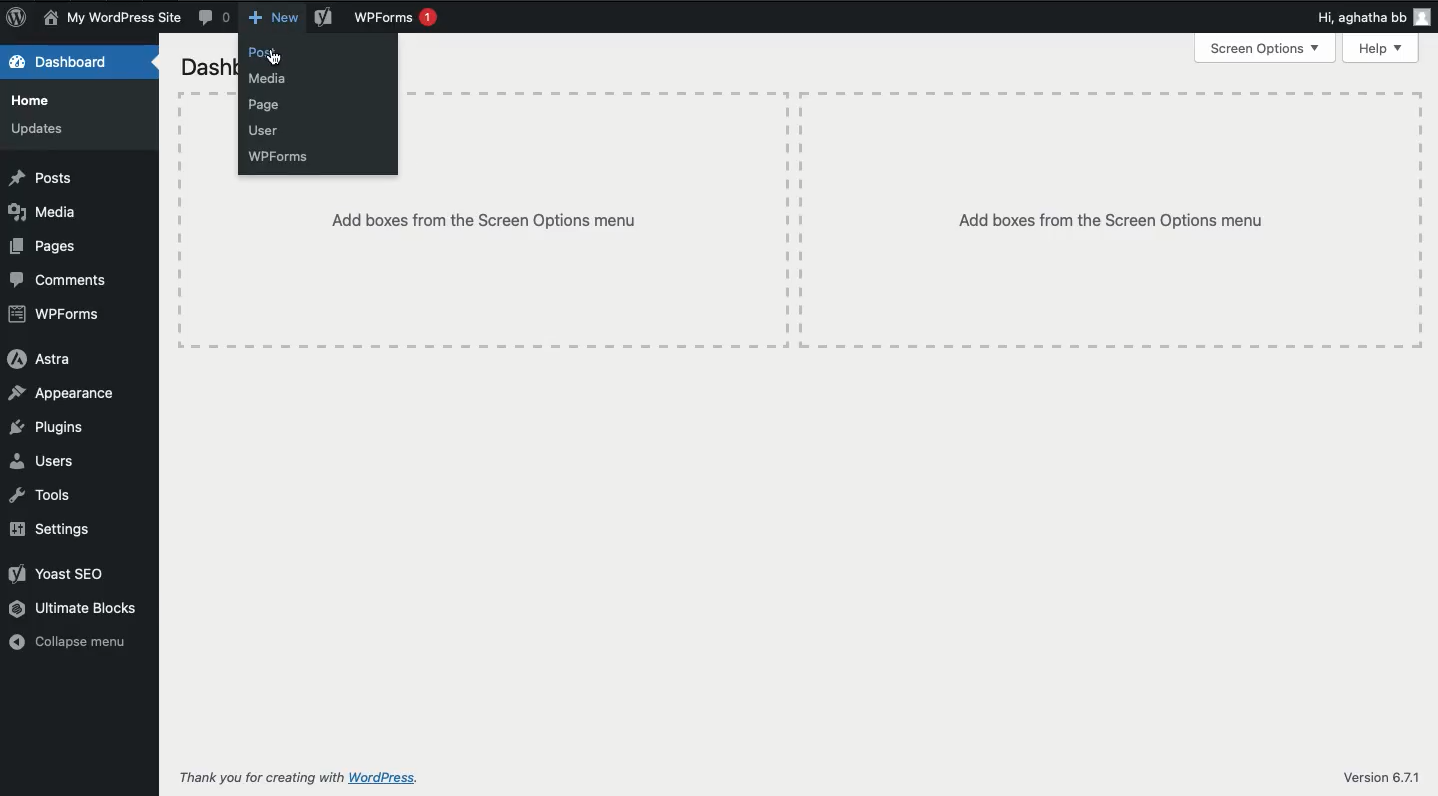 The width and height of the screenshot is (1438, 796). What do you see at coordinates (1110, 220) in the screenshot?
I see `Add boxes from the screen options menu` at bounding box center [1110, 220].